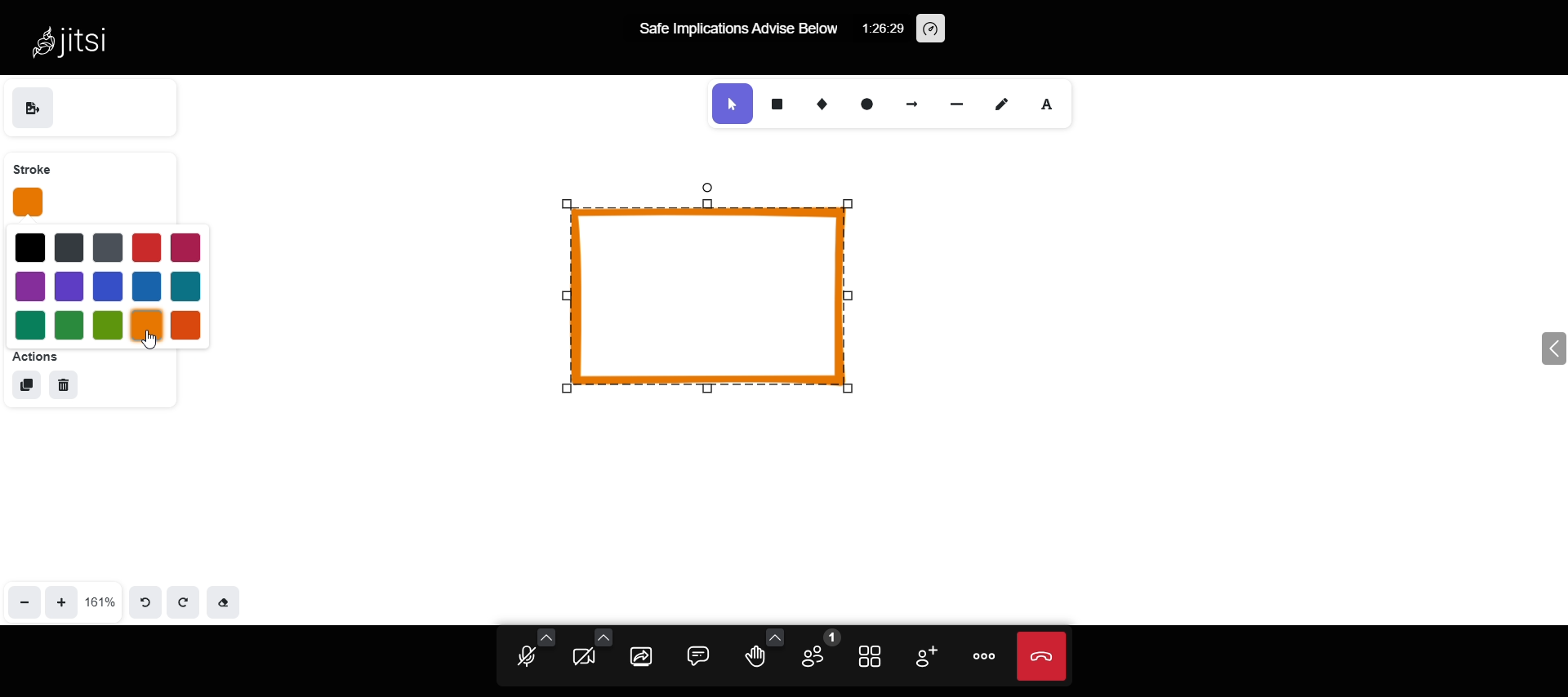 This screenshot has width=1568, height=697. I want to click on duplicate, so click(23, 382).